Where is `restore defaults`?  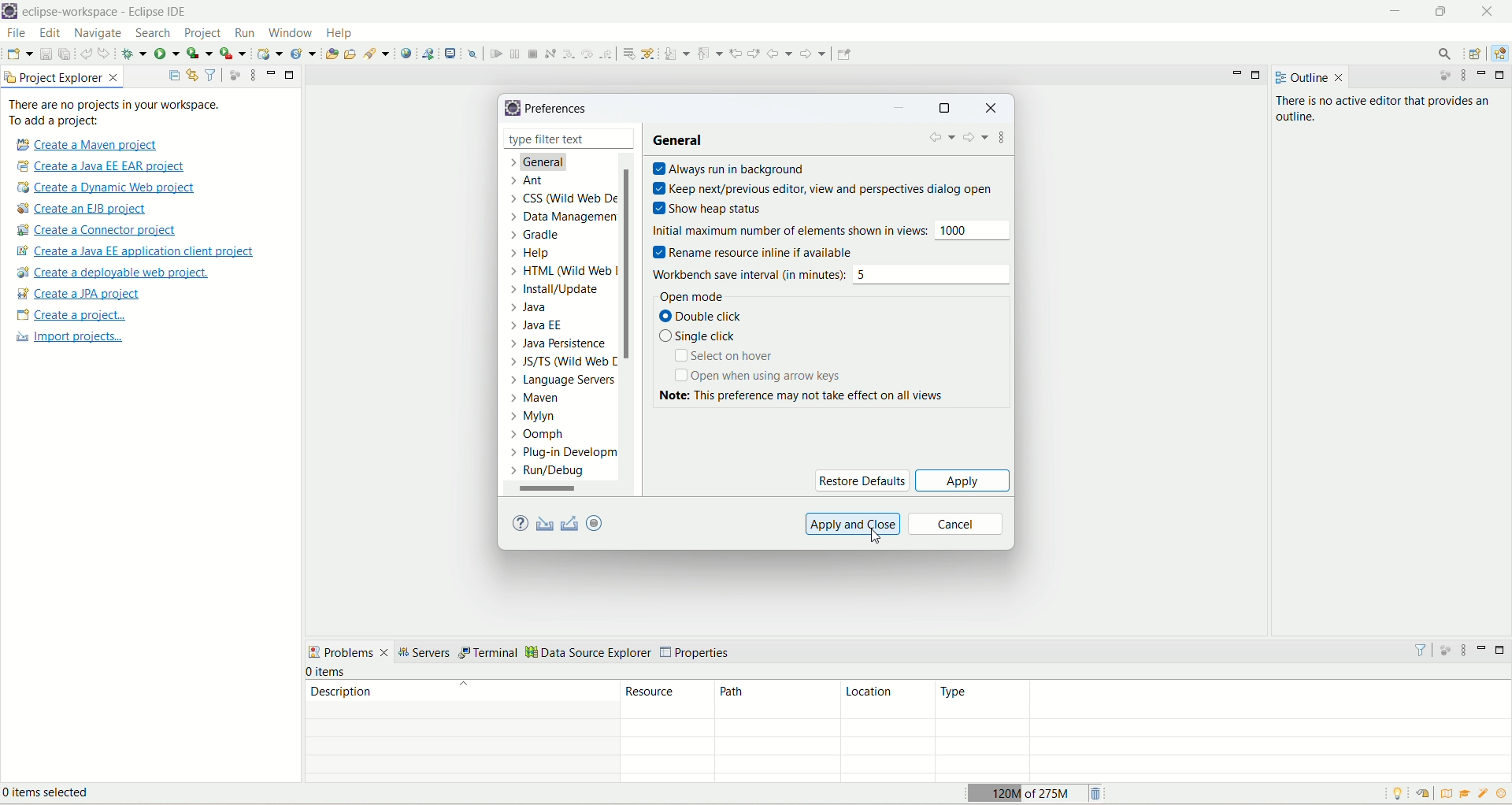
restore defaults is located at coordinates (862, 480).